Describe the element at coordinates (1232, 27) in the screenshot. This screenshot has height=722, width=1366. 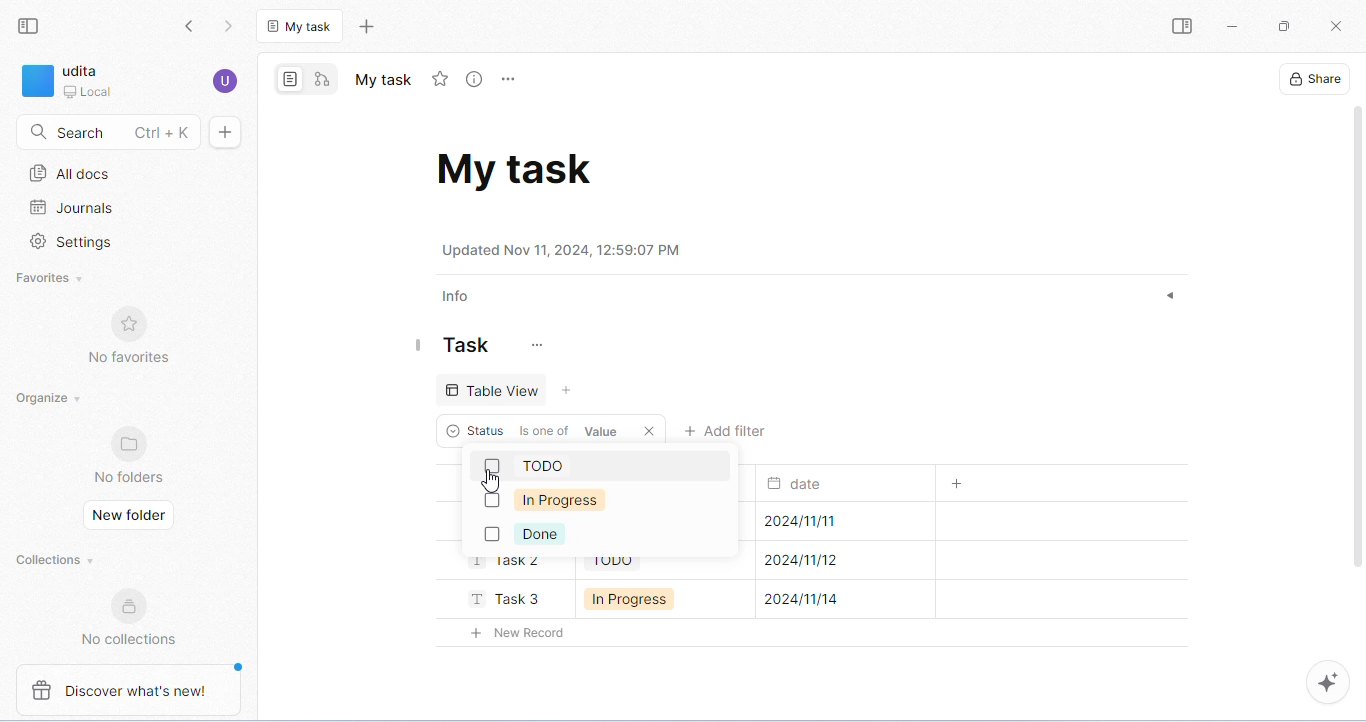
I see `minimize` at that location.